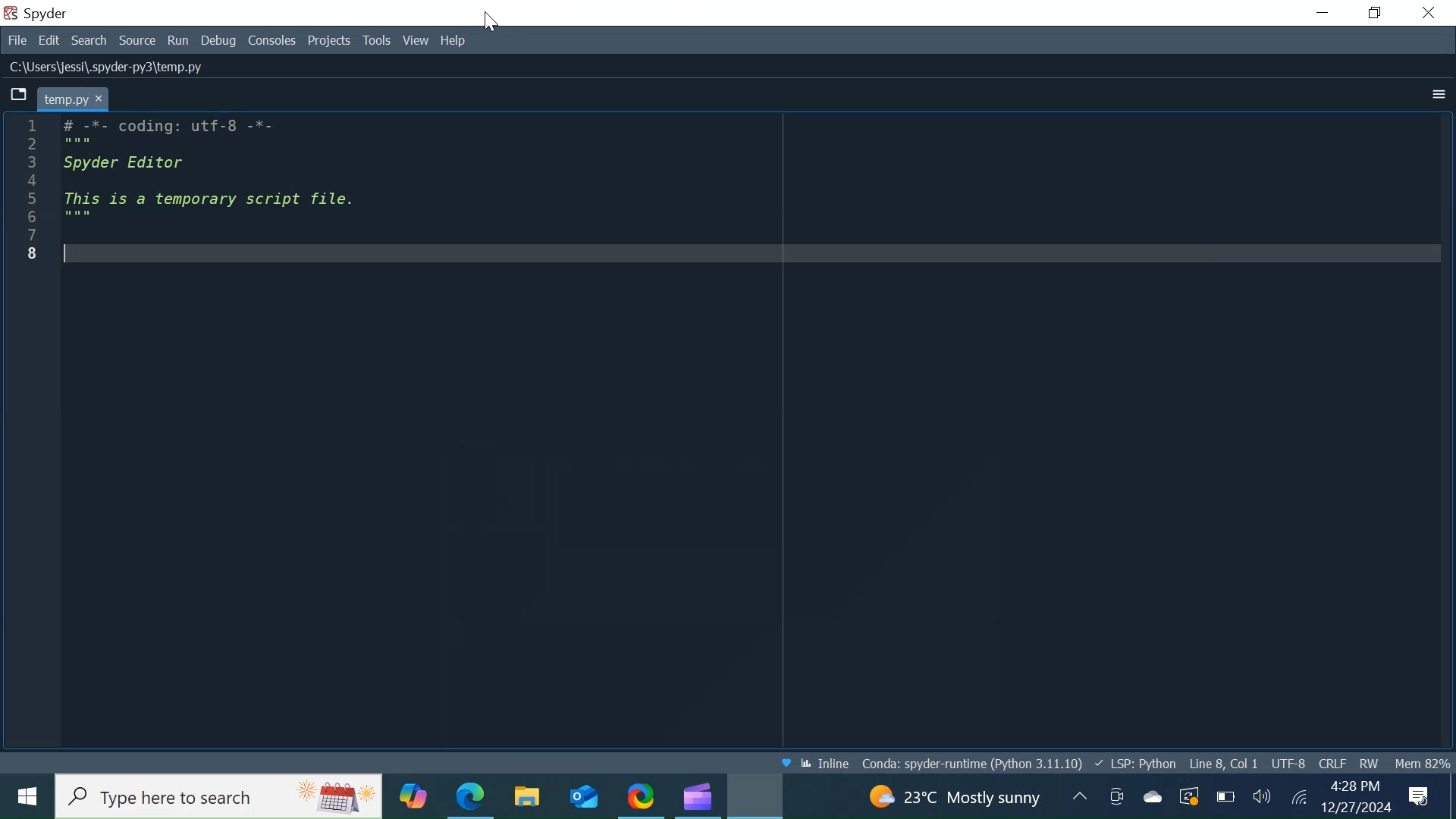 This screenshot has width=1456, height=819. I want to click on Speaker, so click(1261, 797).